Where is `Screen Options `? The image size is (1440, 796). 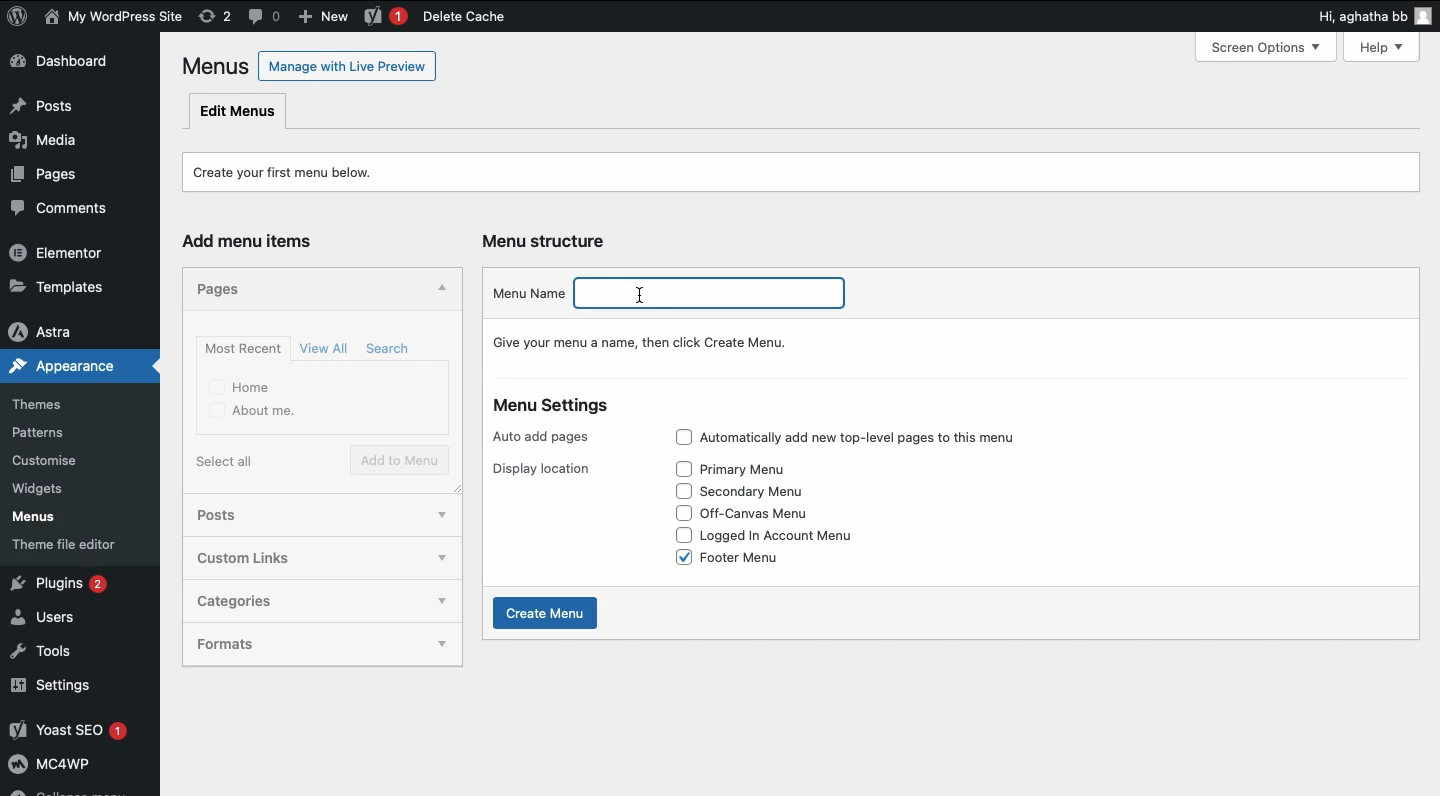
Screen Options  is located at coordinates (1274, 47).